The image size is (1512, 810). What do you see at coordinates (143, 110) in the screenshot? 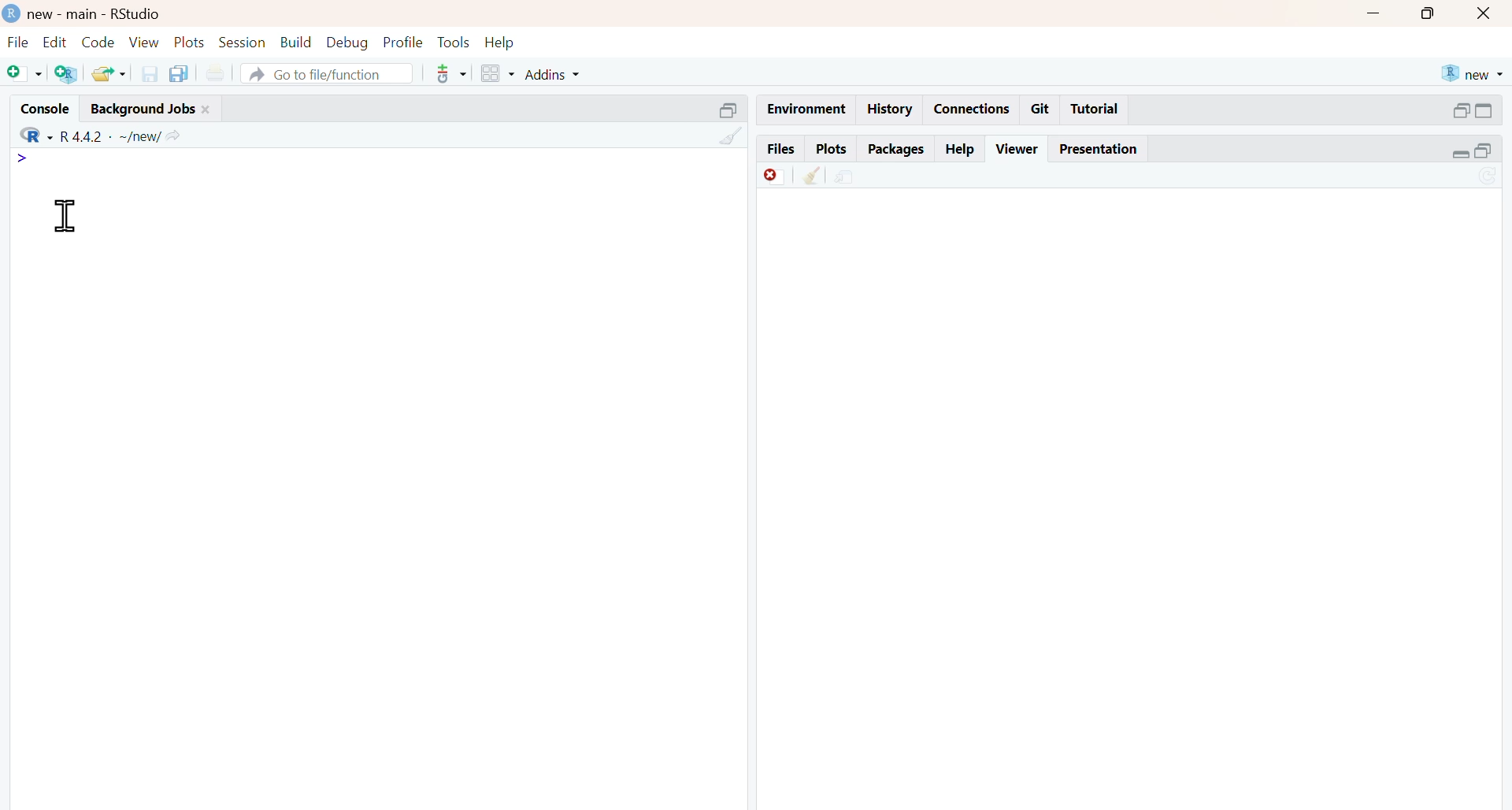
I see `background jobs` at bounding box center [143, 110].